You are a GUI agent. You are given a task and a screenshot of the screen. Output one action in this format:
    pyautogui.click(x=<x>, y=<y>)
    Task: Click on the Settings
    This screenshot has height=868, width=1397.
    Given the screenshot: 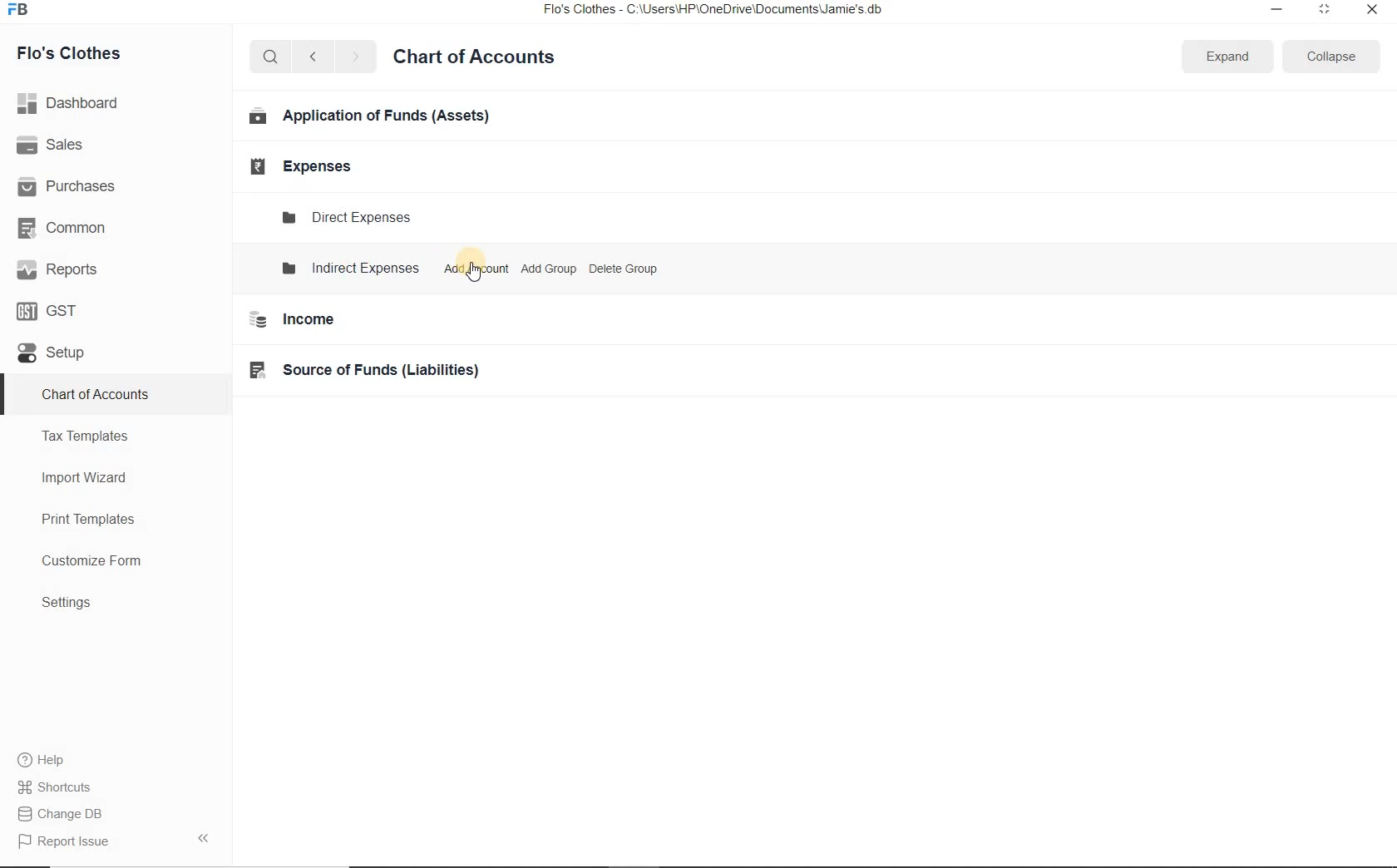 What is the action you would take?
    pyautogui.click(x=67, y=602)
    